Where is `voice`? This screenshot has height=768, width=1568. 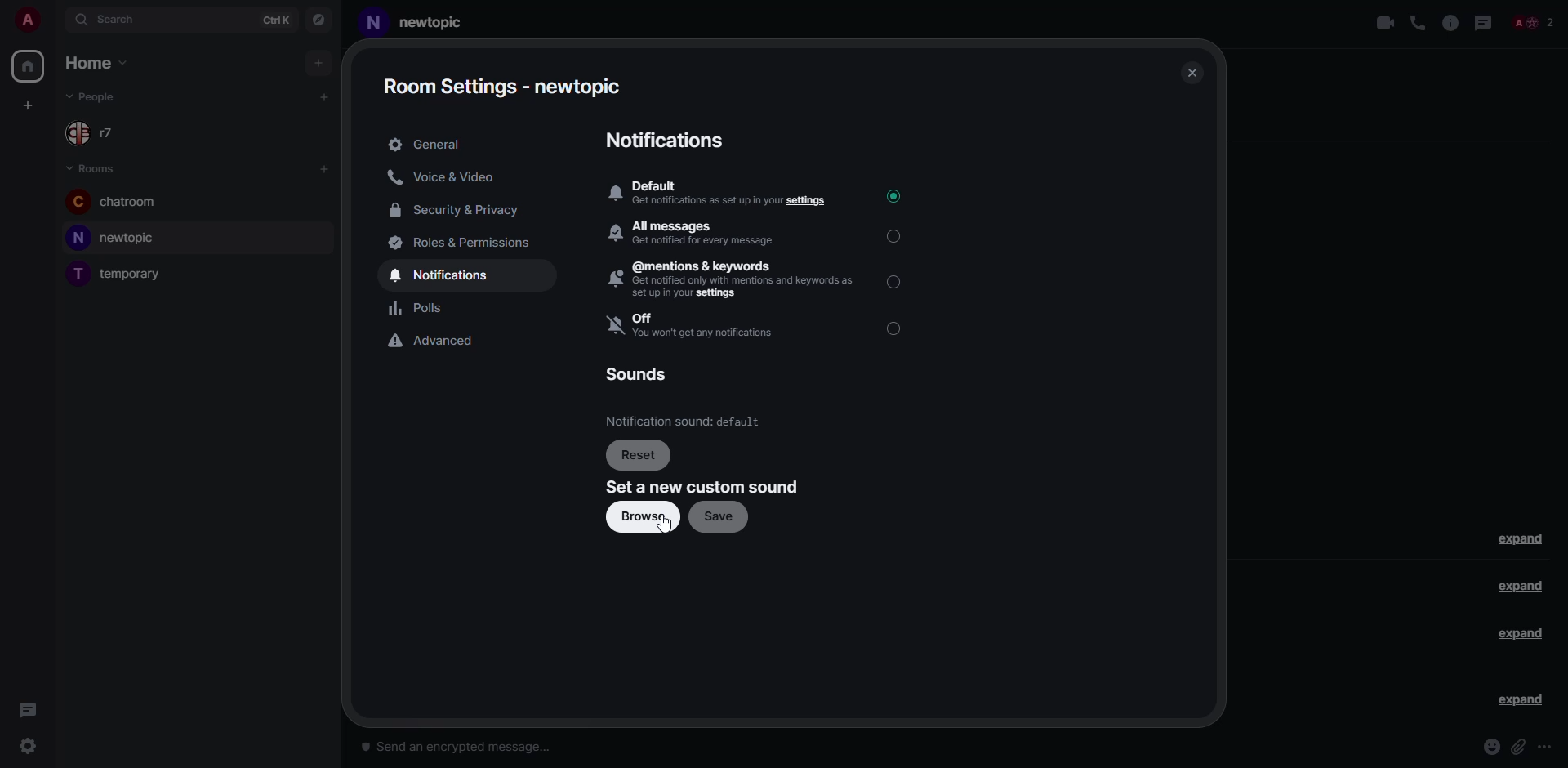 voice is located at coordinates (1418, 25).